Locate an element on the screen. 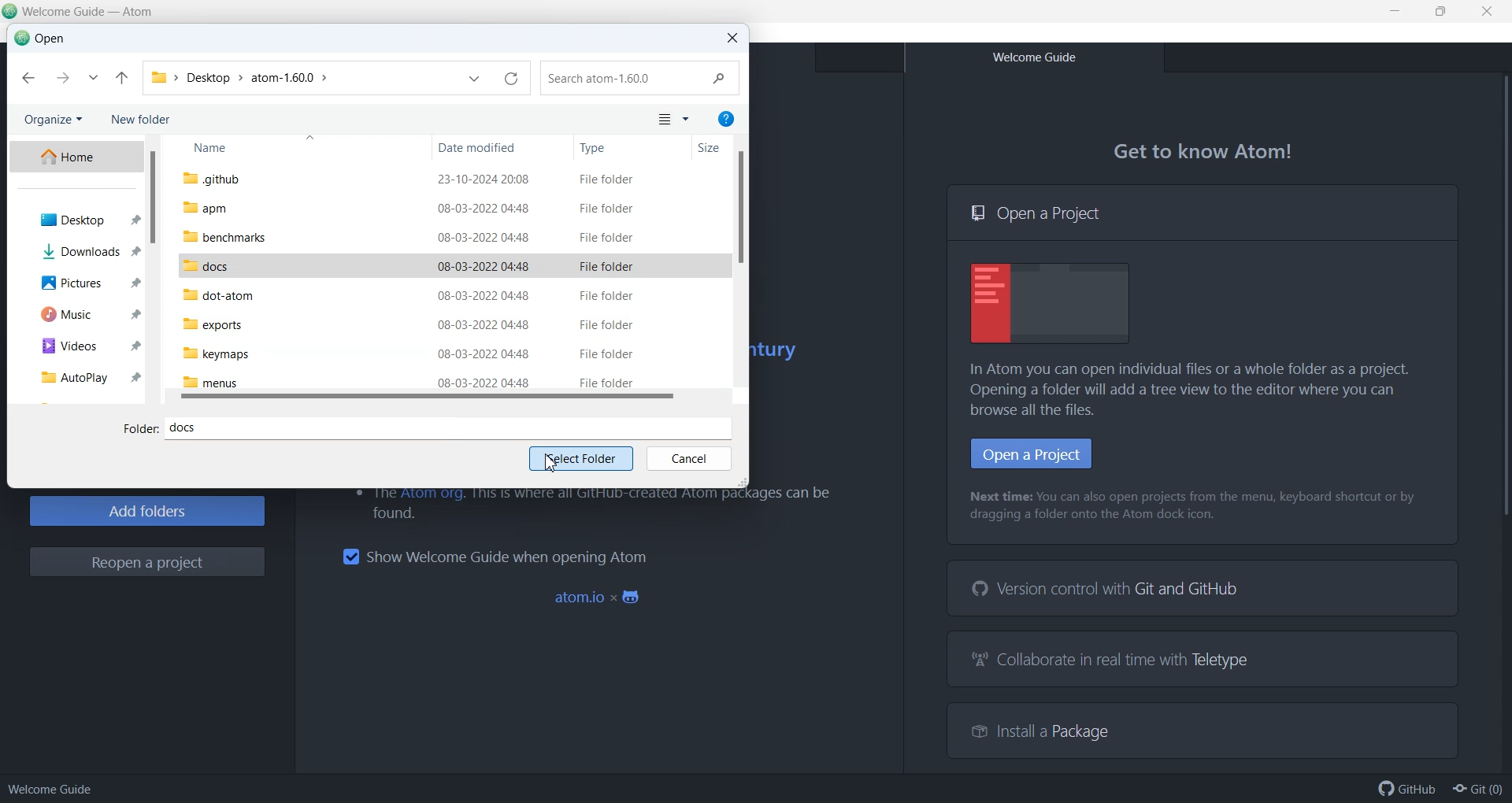 This screenshot has height=803, width=1512. Get Help is located at coordinates (726, 118).